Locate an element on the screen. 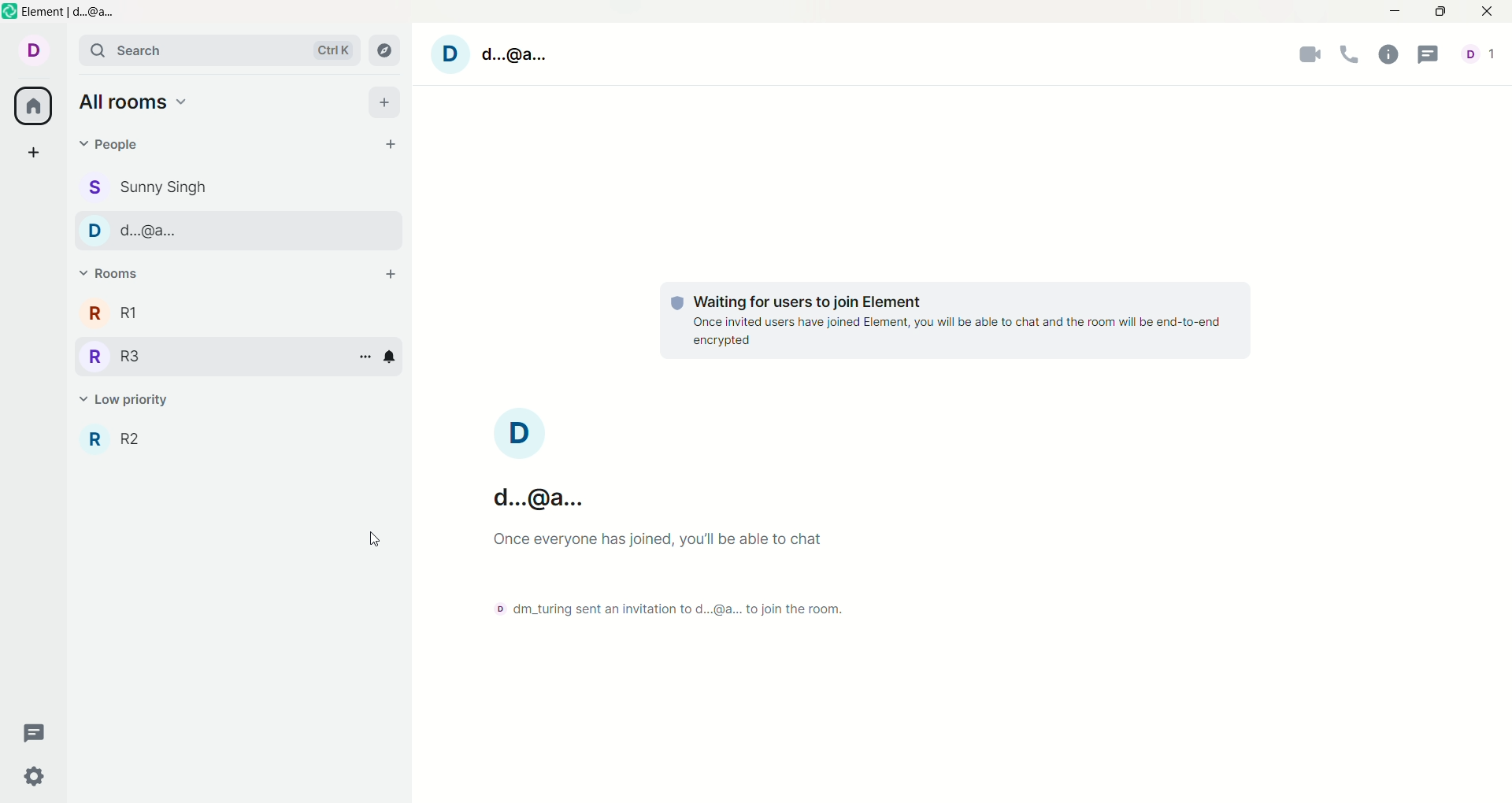  add is located at coordinates (386, 103).